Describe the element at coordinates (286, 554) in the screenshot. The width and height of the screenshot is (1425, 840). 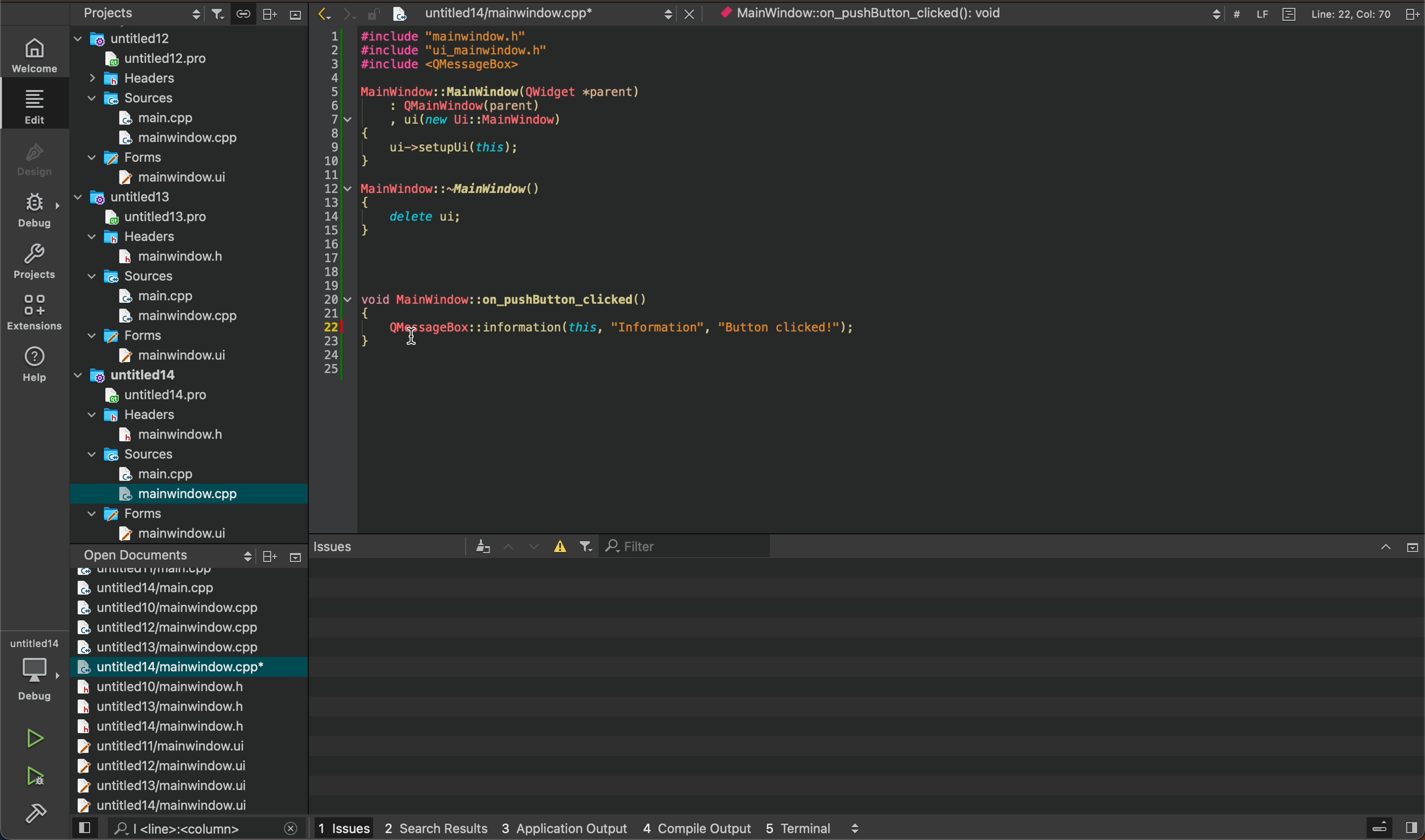
I see `` at that location.